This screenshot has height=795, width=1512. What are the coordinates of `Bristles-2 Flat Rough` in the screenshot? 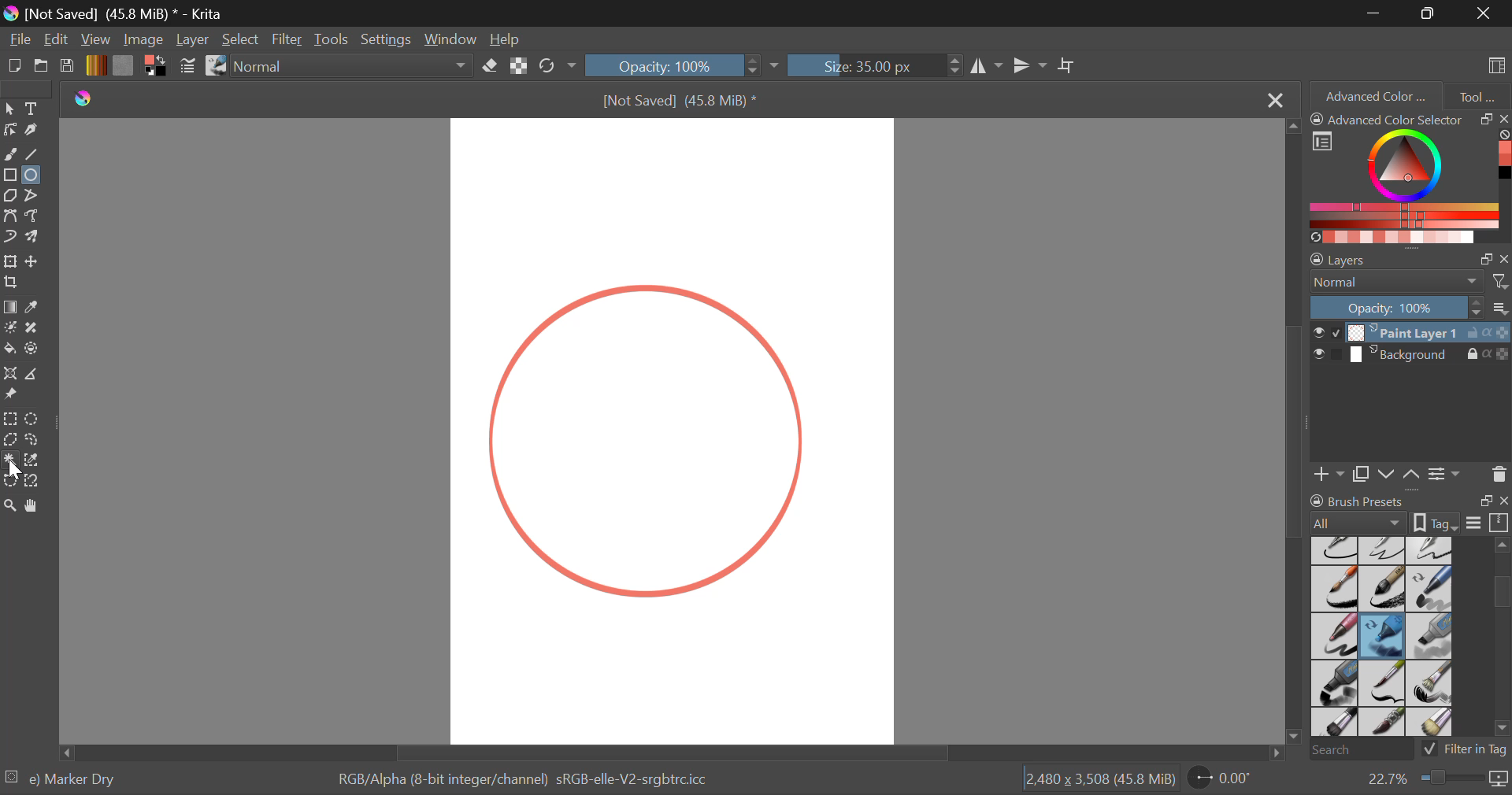 It's located at (1432, 684).